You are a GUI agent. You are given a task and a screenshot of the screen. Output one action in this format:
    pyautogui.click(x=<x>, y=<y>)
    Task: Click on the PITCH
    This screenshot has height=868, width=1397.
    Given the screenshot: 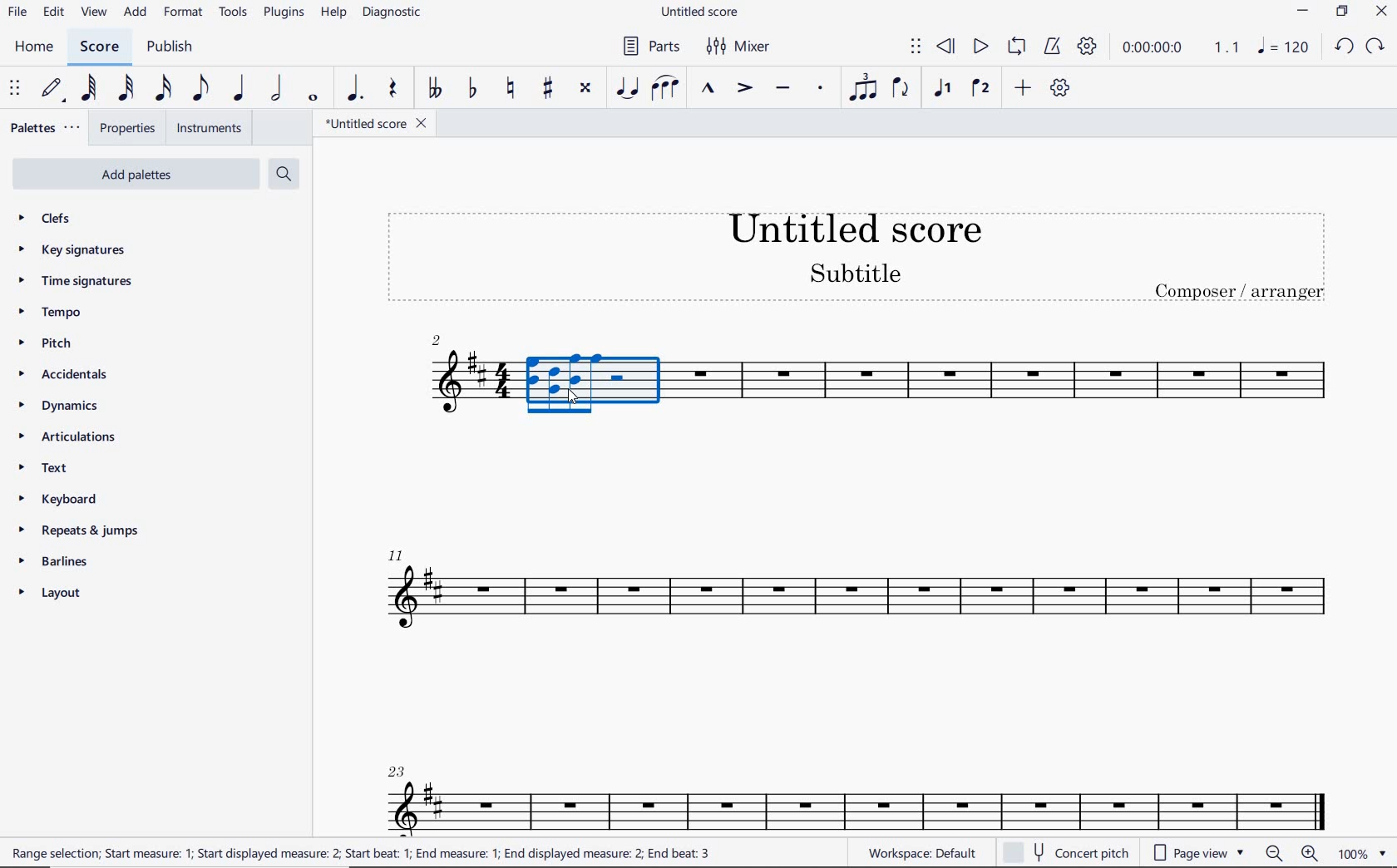 What is the action you would take?
    pyautogui.click(x=61, y=343)
    